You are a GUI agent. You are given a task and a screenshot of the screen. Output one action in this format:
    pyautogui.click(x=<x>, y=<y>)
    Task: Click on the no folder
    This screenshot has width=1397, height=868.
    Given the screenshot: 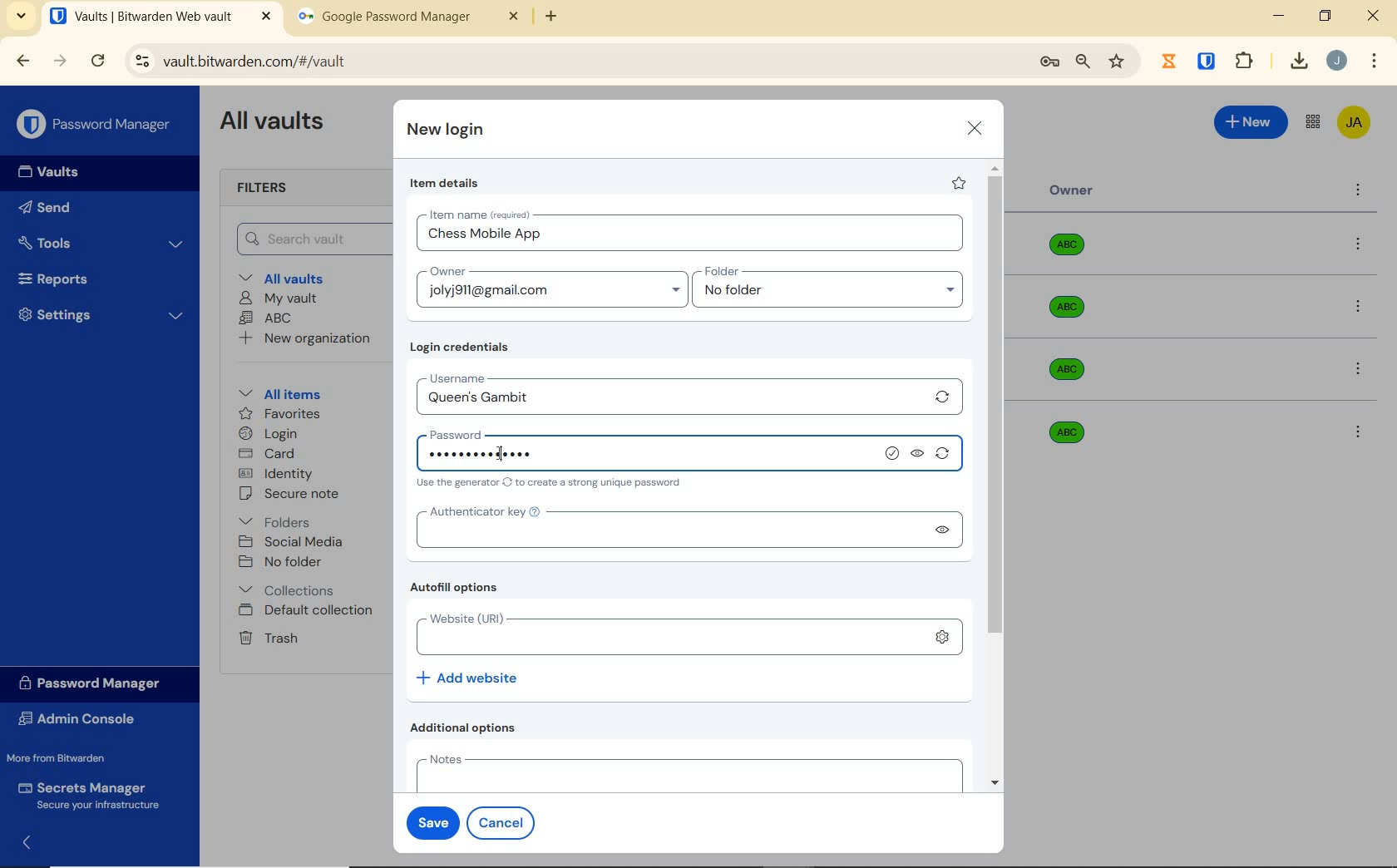 What is the action you would take?
    pyautogui.click(x=834, y=294)
    